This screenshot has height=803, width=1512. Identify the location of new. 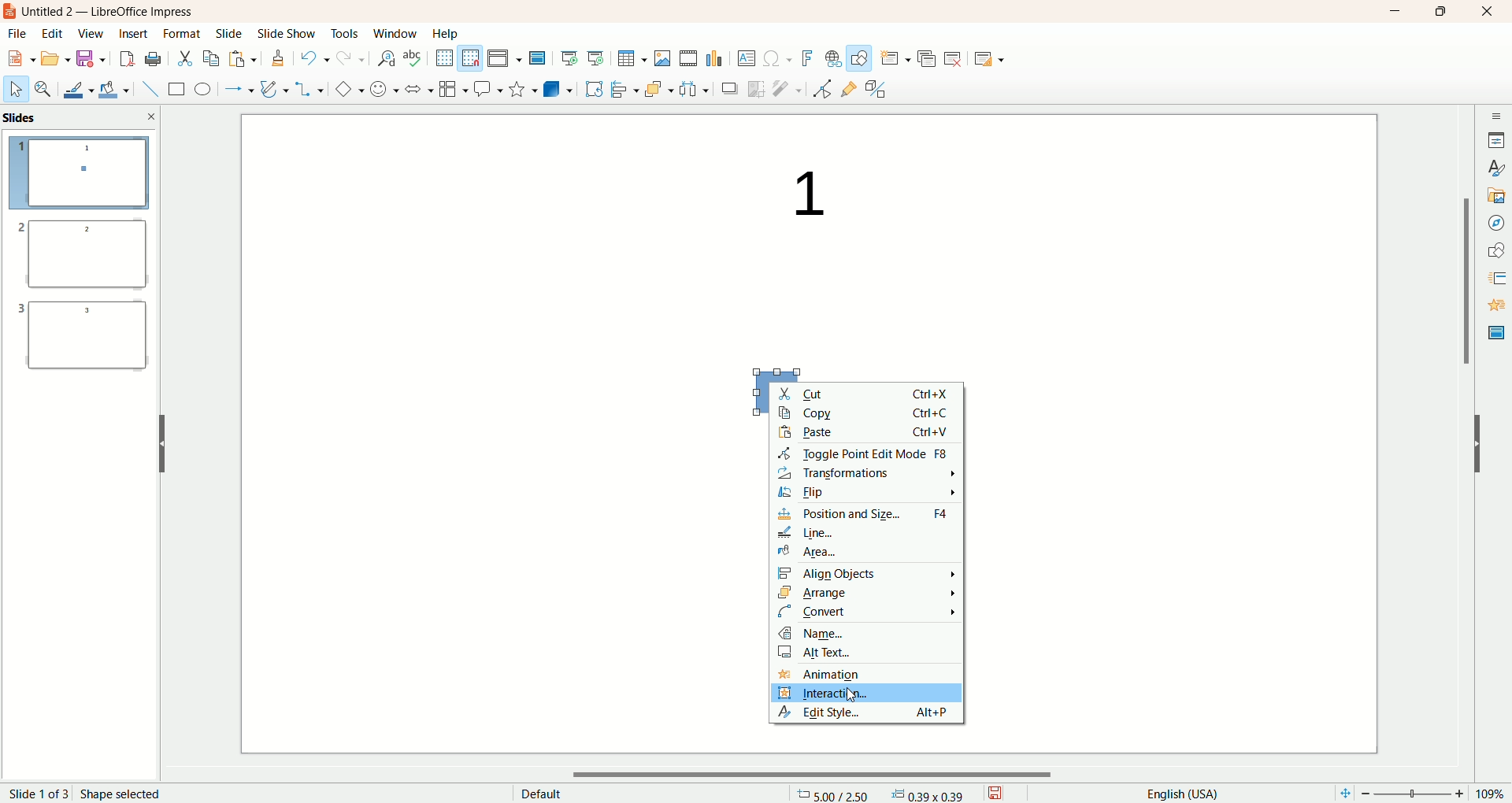
(21, 57).